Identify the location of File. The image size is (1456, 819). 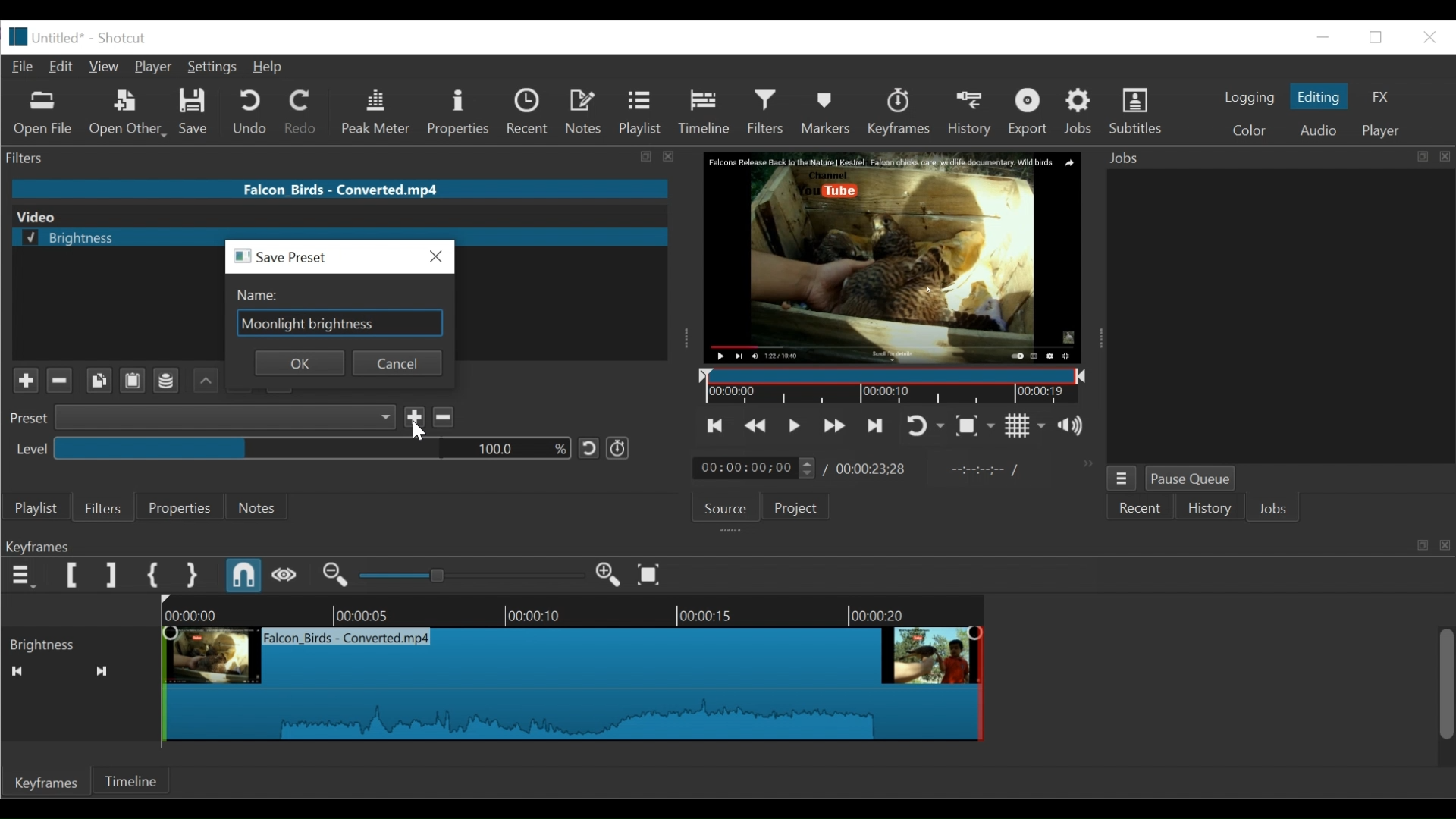
(22, 67).